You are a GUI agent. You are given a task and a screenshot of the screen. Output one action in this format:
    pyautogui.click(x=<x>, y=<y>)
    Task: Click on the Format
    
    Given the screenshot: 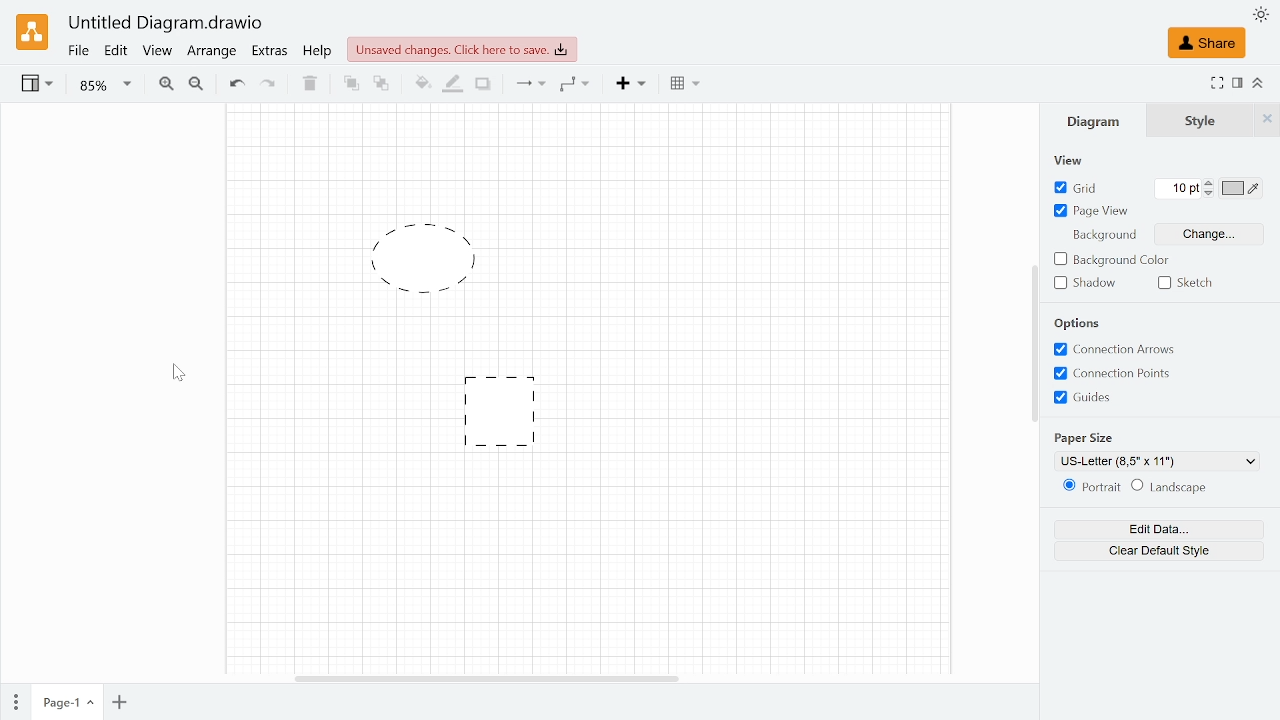 What is the action you would take?
    pyautogui.click(x=1238, y=83)
    